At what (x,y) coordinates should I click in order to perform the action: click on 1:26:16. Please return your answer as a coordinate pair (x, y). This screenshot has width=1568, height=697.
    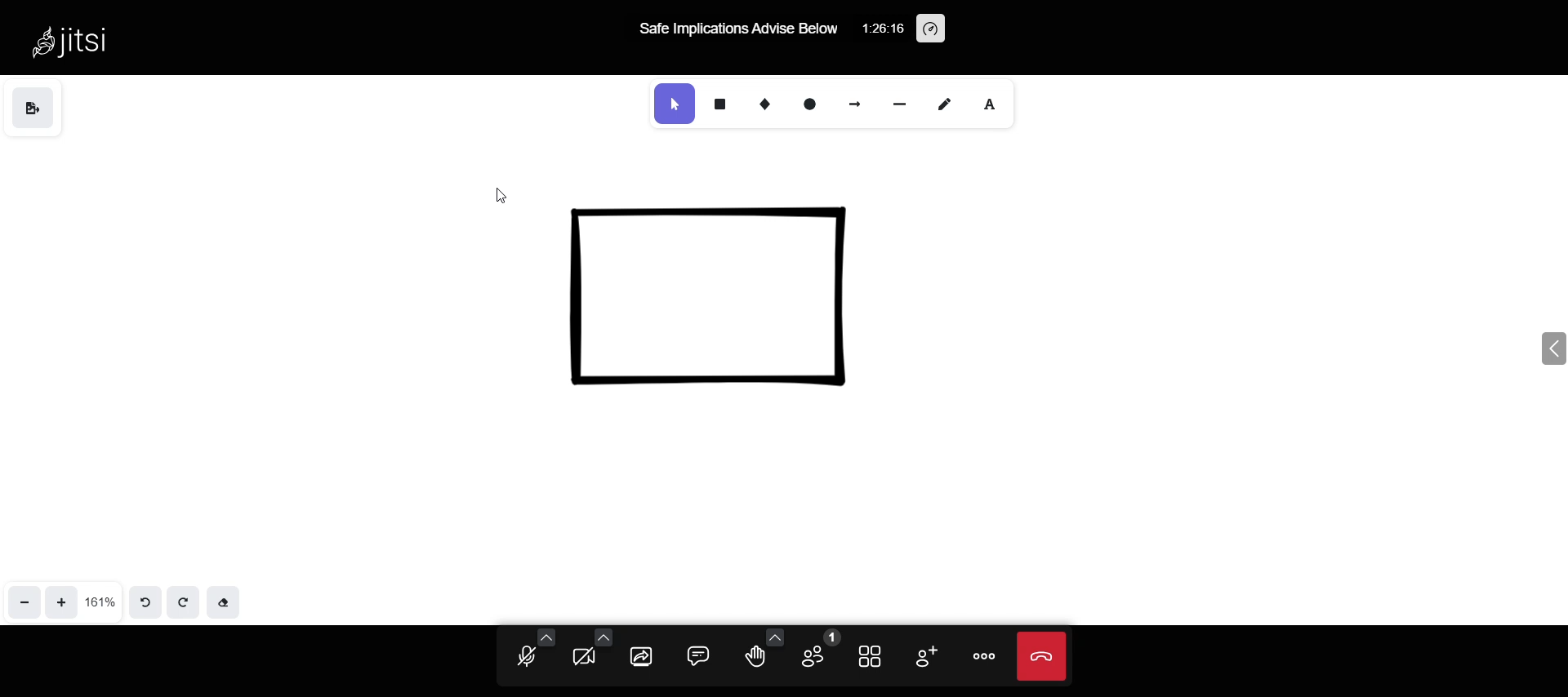
    Looking at the image, I should click on (883, 33).